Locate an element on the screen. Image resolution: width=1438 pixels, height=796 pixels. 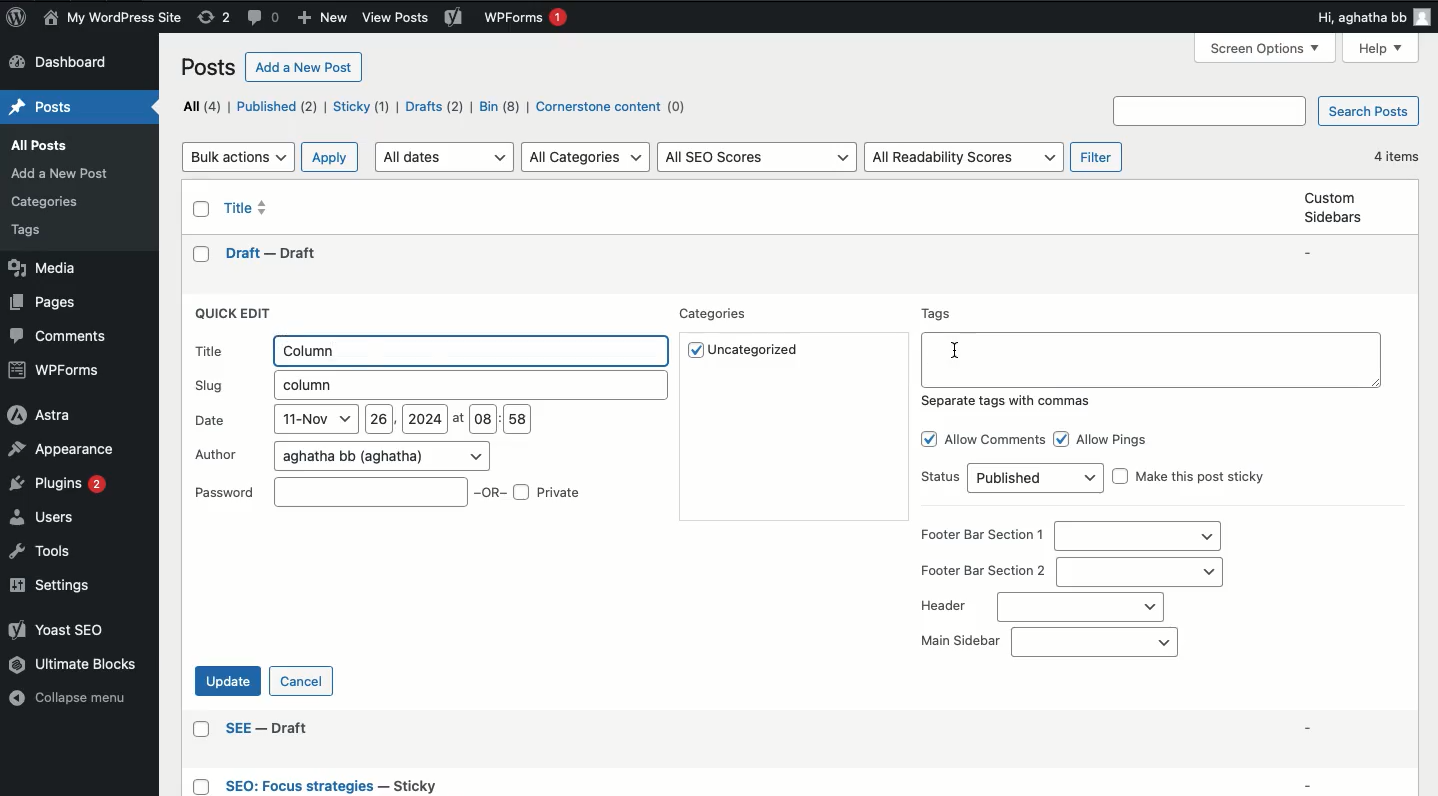
Logo is located at coordinates (14, 18).